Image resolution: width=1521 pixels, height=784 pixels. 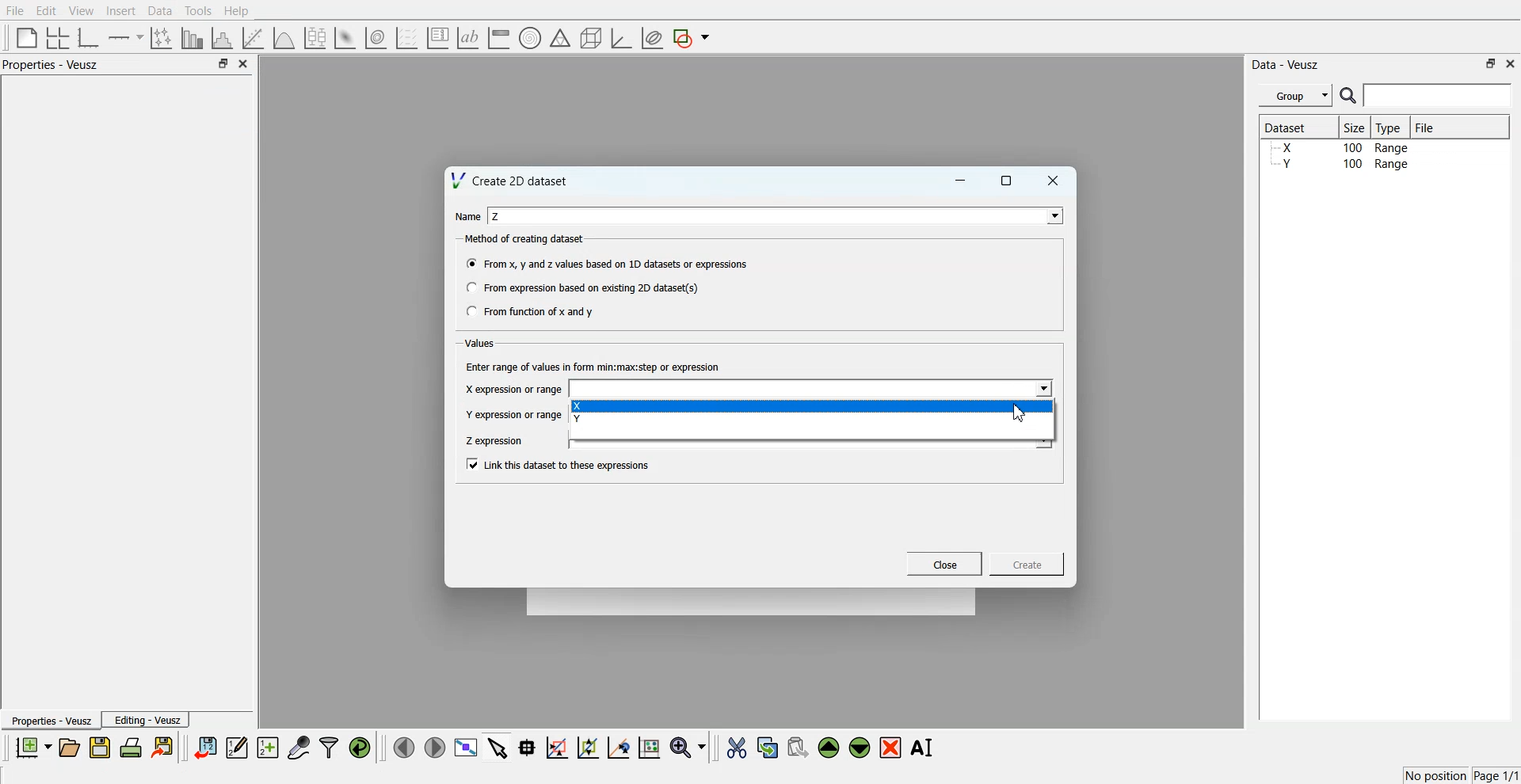 I want to click on Image color bar, so click(x=499, y=37).